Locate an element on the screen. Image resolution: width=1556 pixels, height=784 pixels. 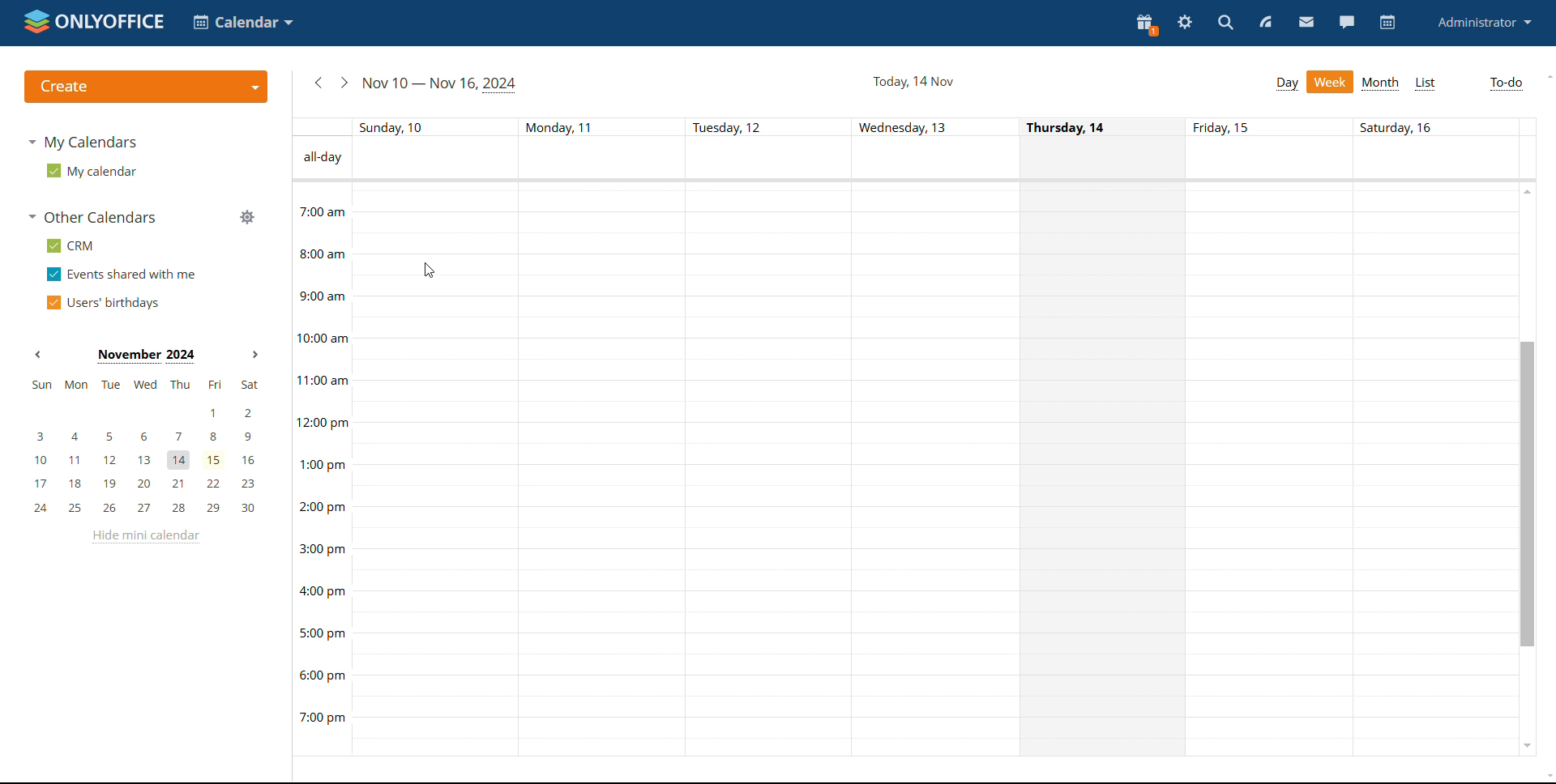
administrator is located at coordinates (1483, 21).